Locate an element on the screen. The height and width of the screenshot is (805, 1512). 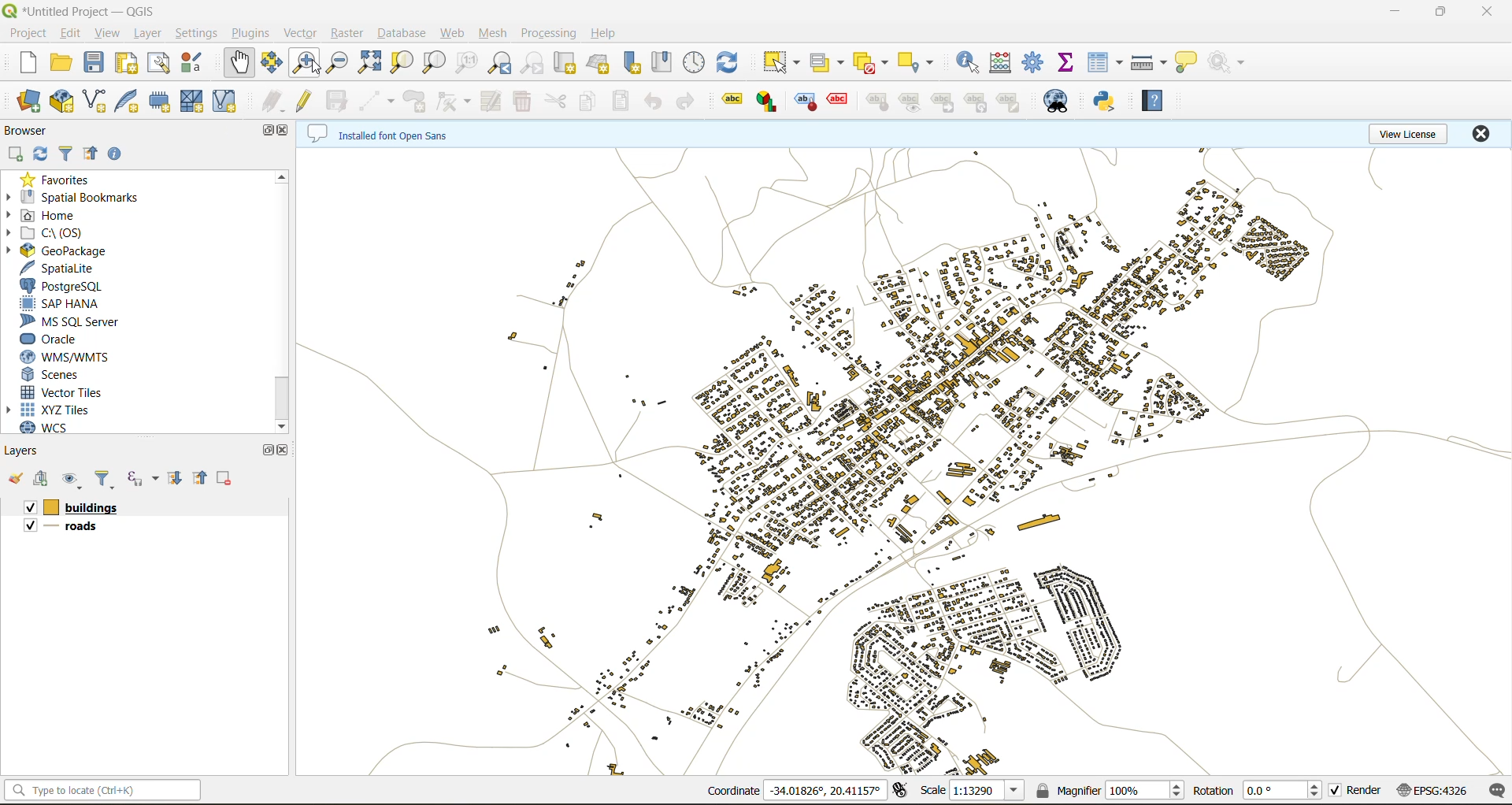
layers is located at coordinates (902, 455).